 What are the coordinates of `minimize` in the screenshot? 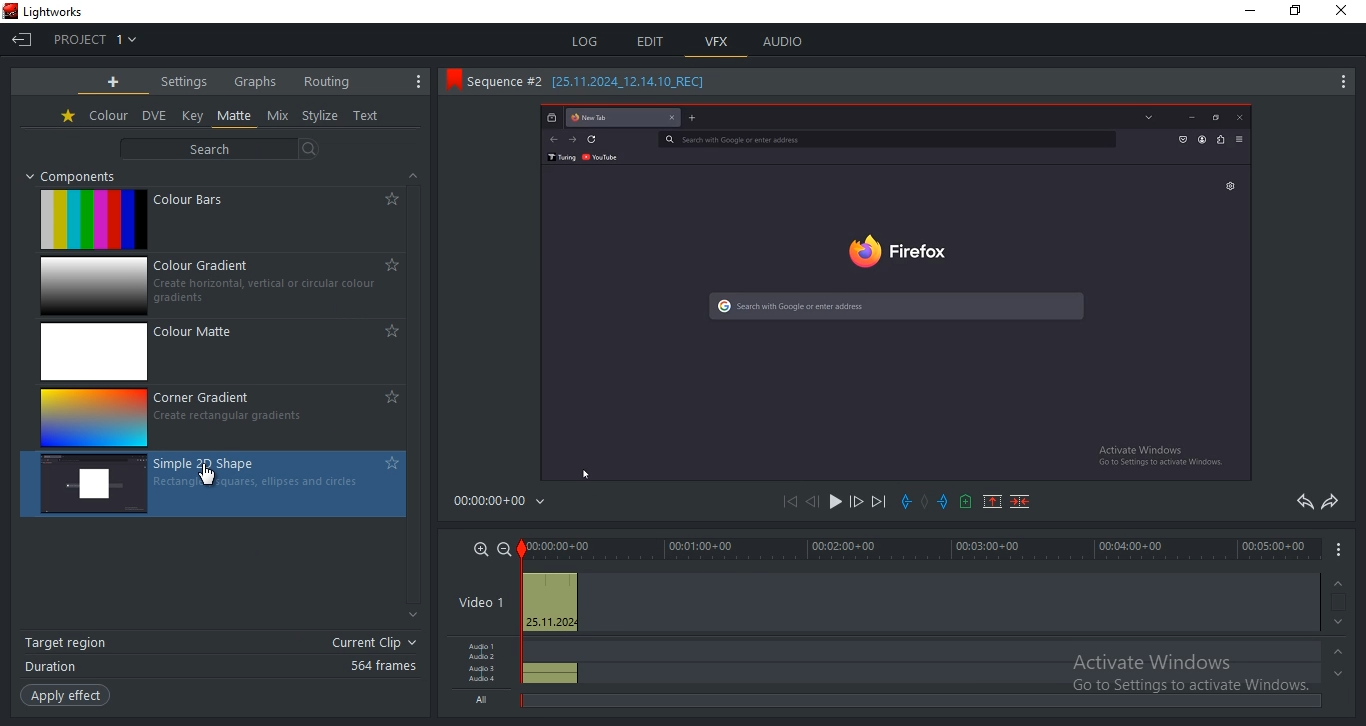 It's located at (1247, 10).